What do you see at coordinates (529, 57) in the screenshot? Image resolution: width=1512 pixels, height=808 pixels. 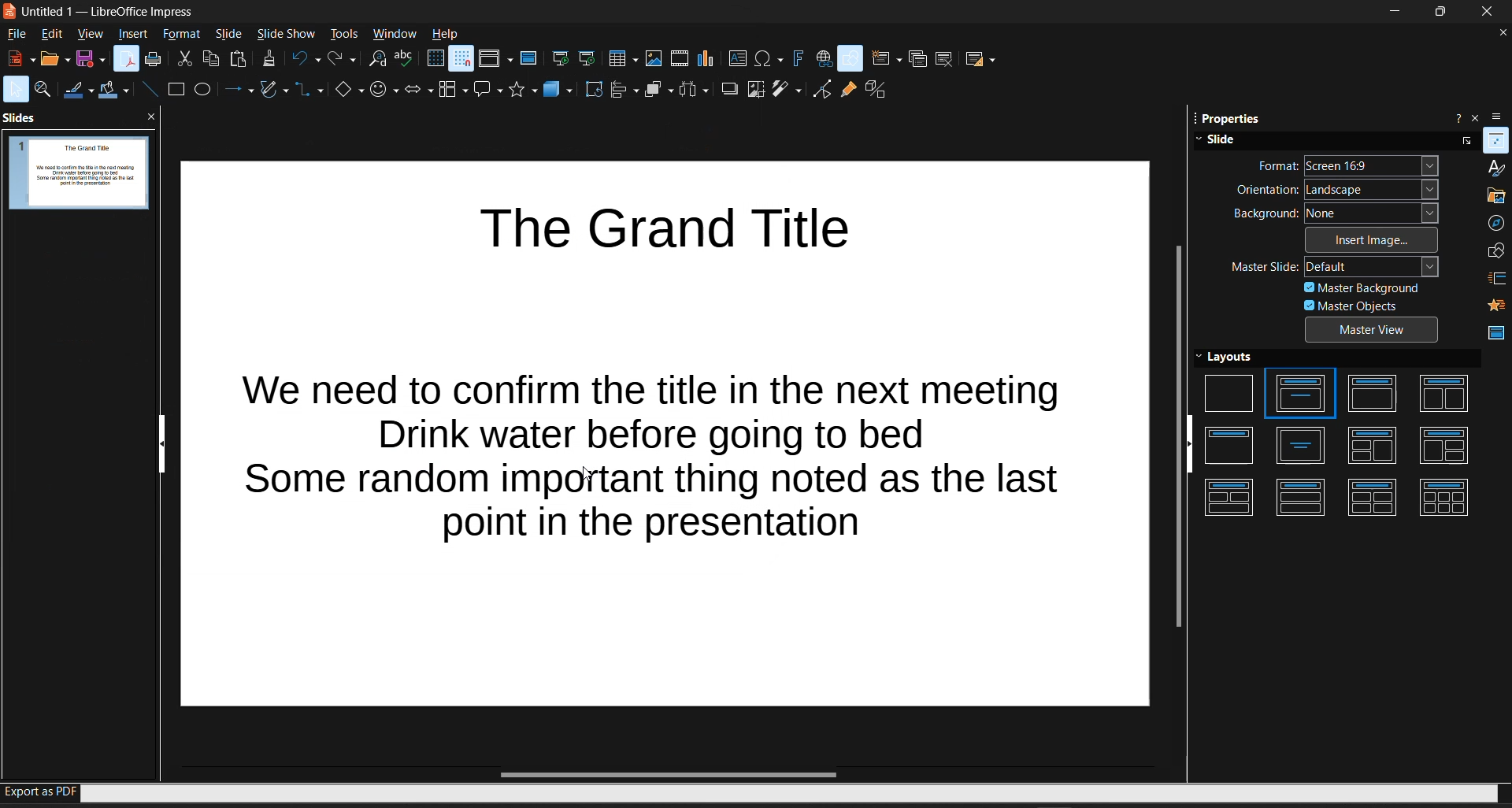 I see `master slide` at bounding box center [529, 57].